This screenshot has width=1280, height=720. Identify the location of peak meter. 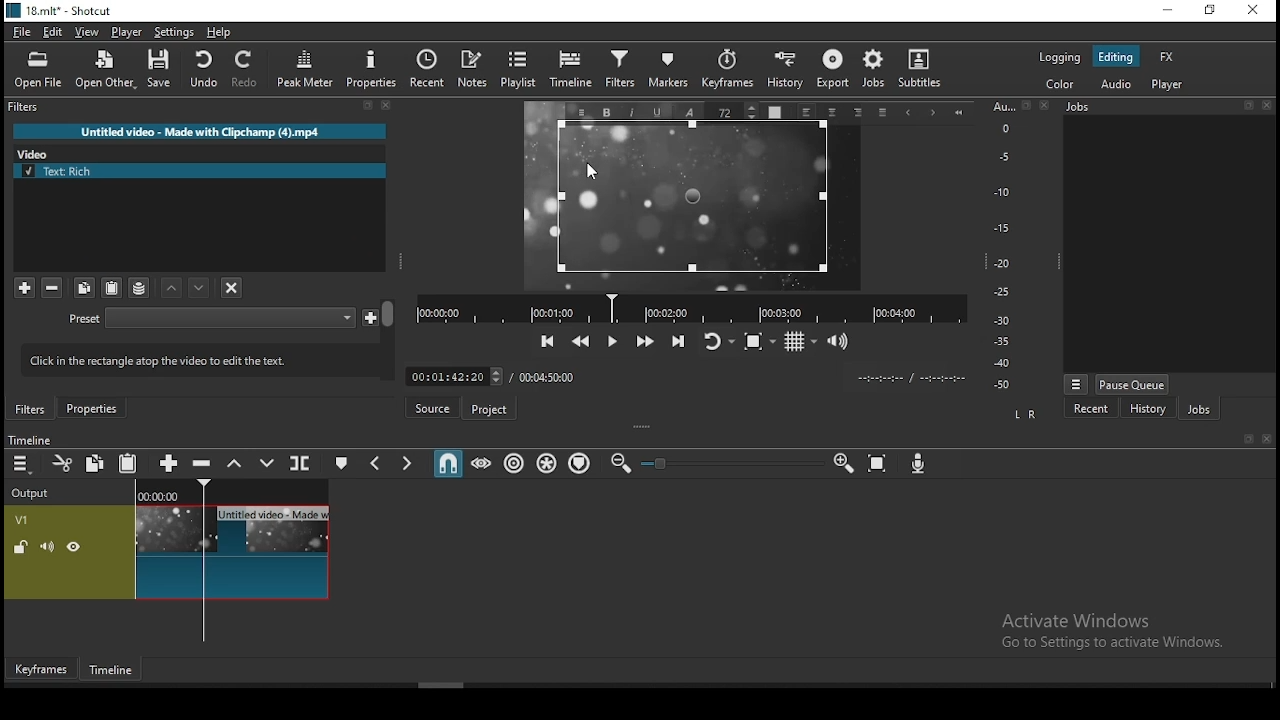
(305, 68).